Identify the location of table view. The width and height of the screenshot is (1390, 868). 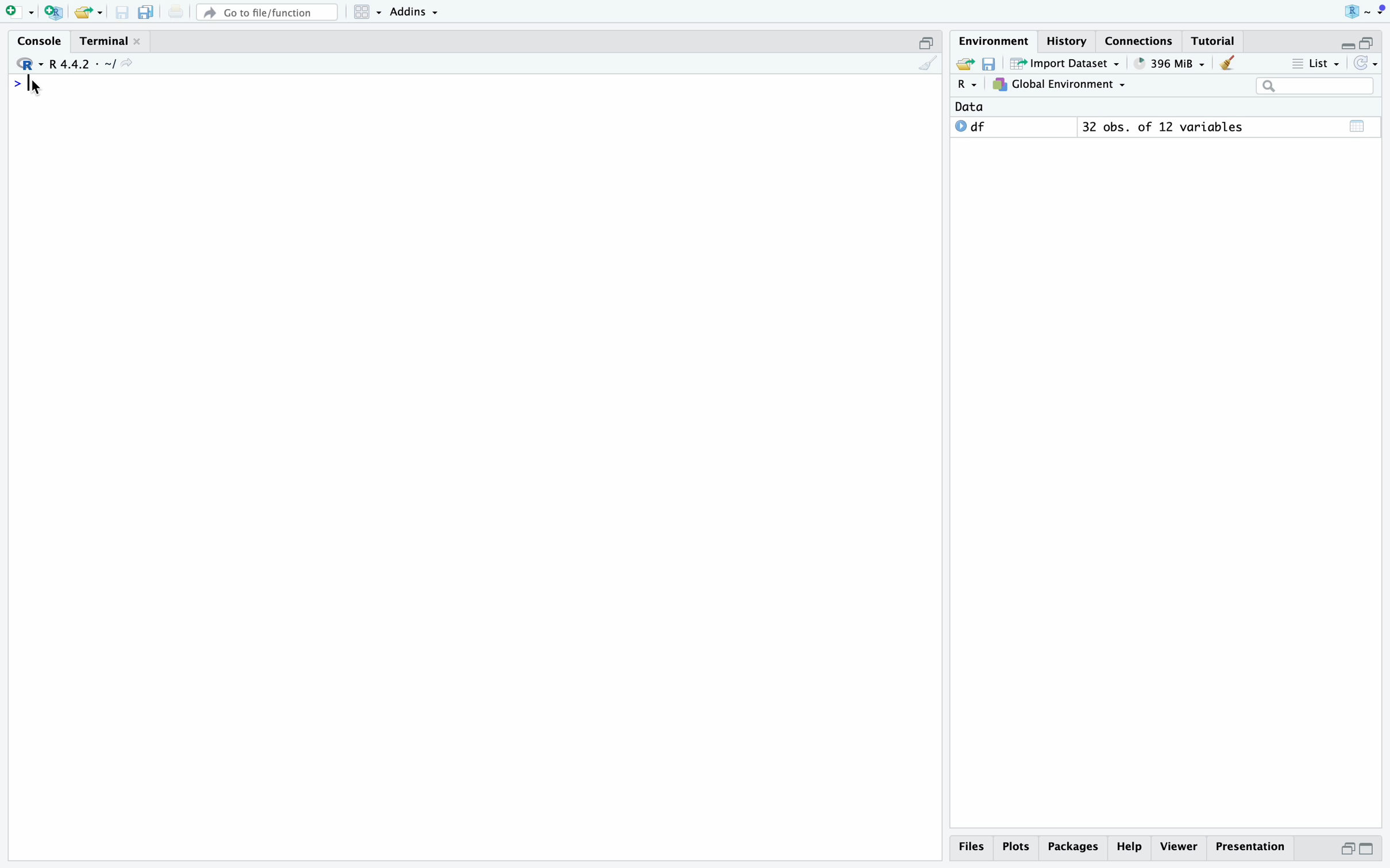
(1357, 126).